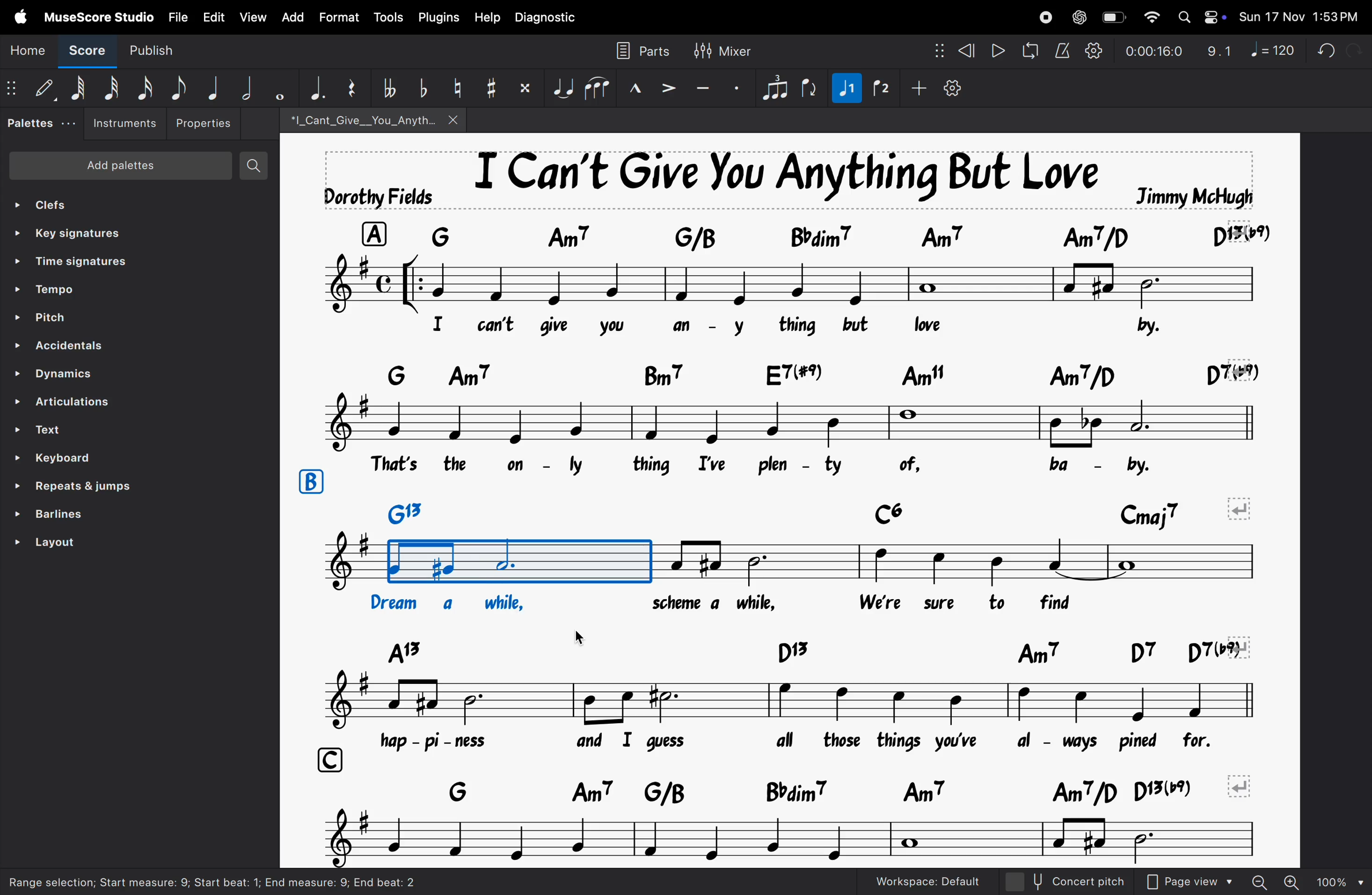 Image resolution: width=1372 pixels, height=895 pixels. I want to click on keyboard, so click(66, 457).